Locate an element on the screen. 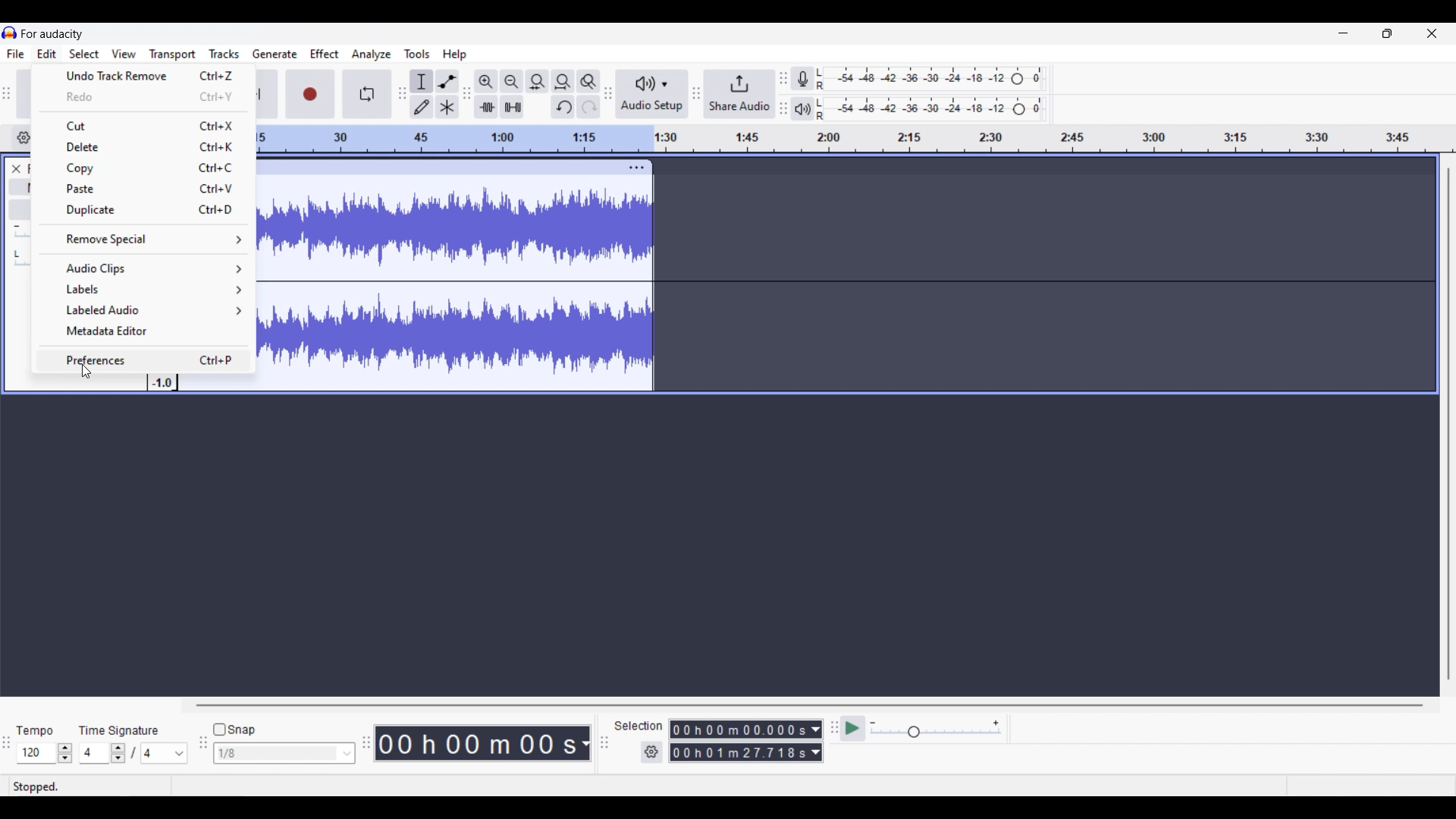 The image size is (1456, 819). Zoom out is located at coordinates (511, 81).